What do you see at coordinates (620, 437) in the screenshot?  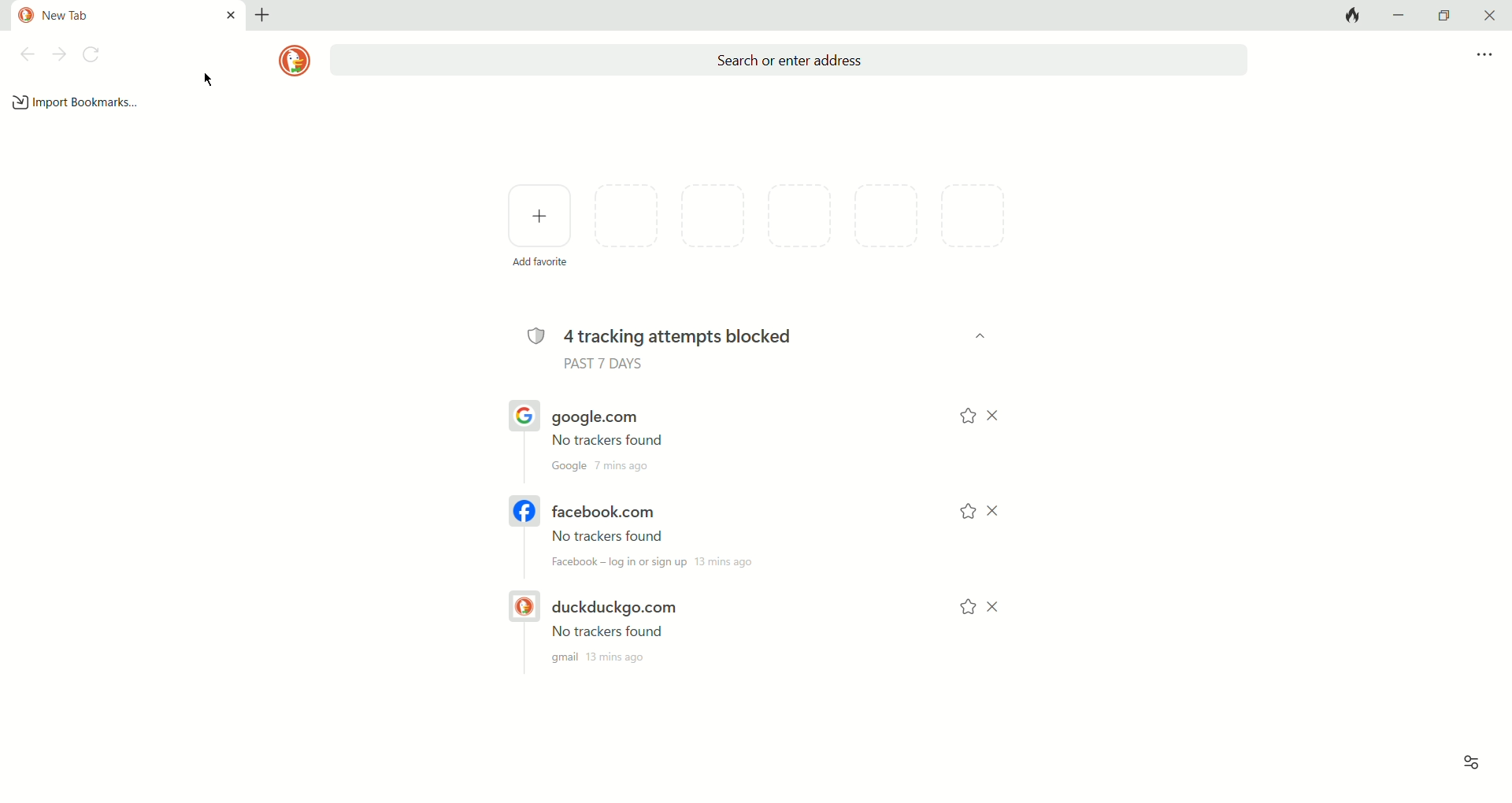 I see `google.com URL` at bounding box center [620, 437].